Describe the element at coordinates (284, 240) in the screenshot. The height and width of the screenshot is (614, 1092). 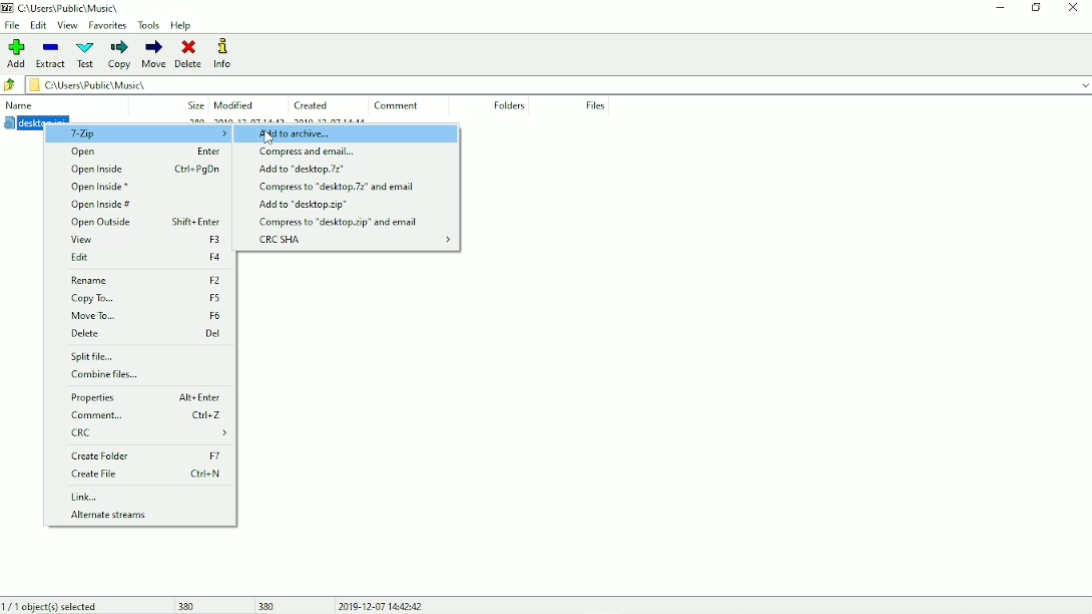
I see `CRC SHA` at that location.